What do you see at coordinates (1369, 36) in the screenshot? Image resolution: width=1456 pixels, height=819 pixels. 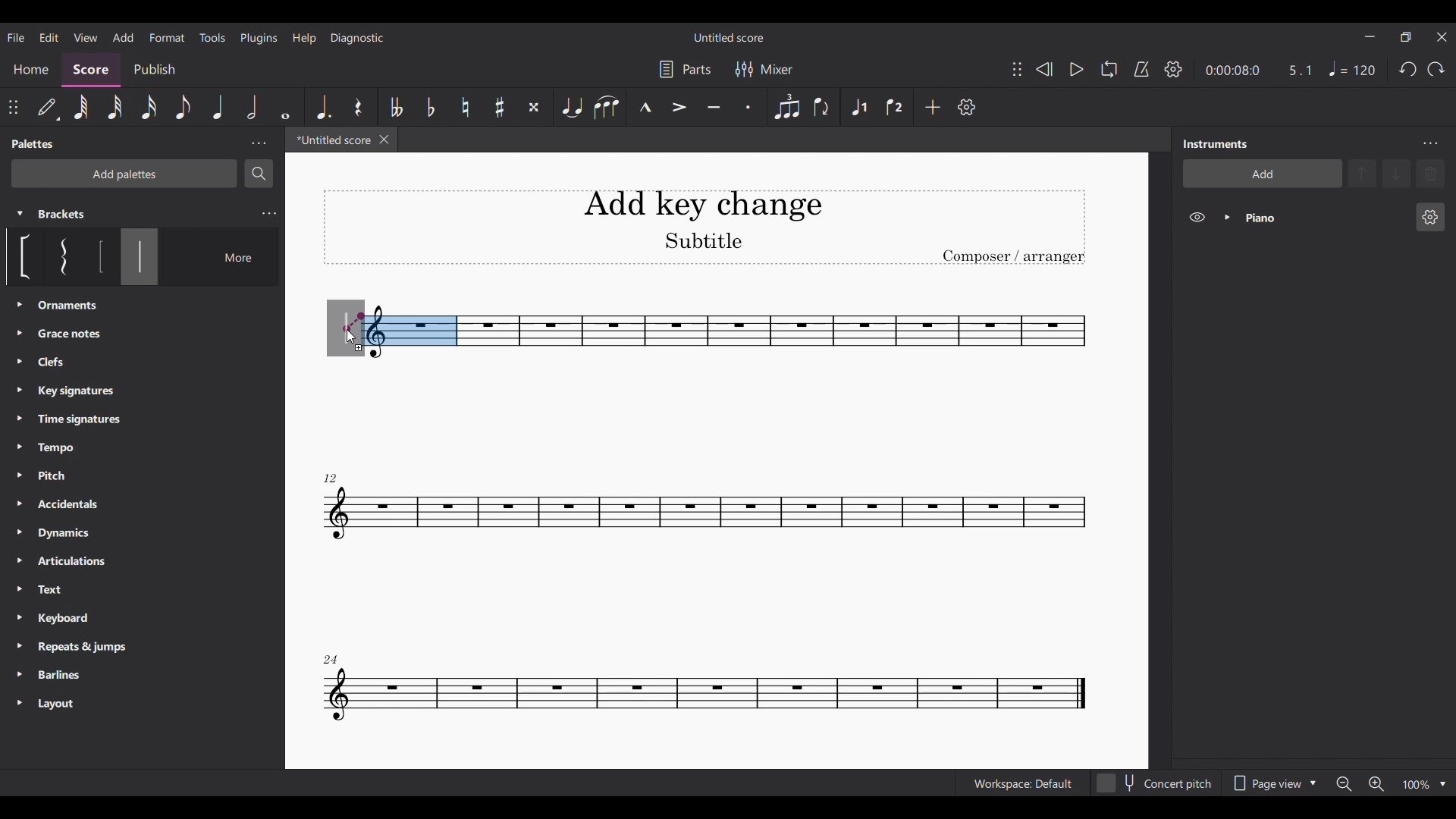 I see `Minimize` at bounding box center [1369, 36].